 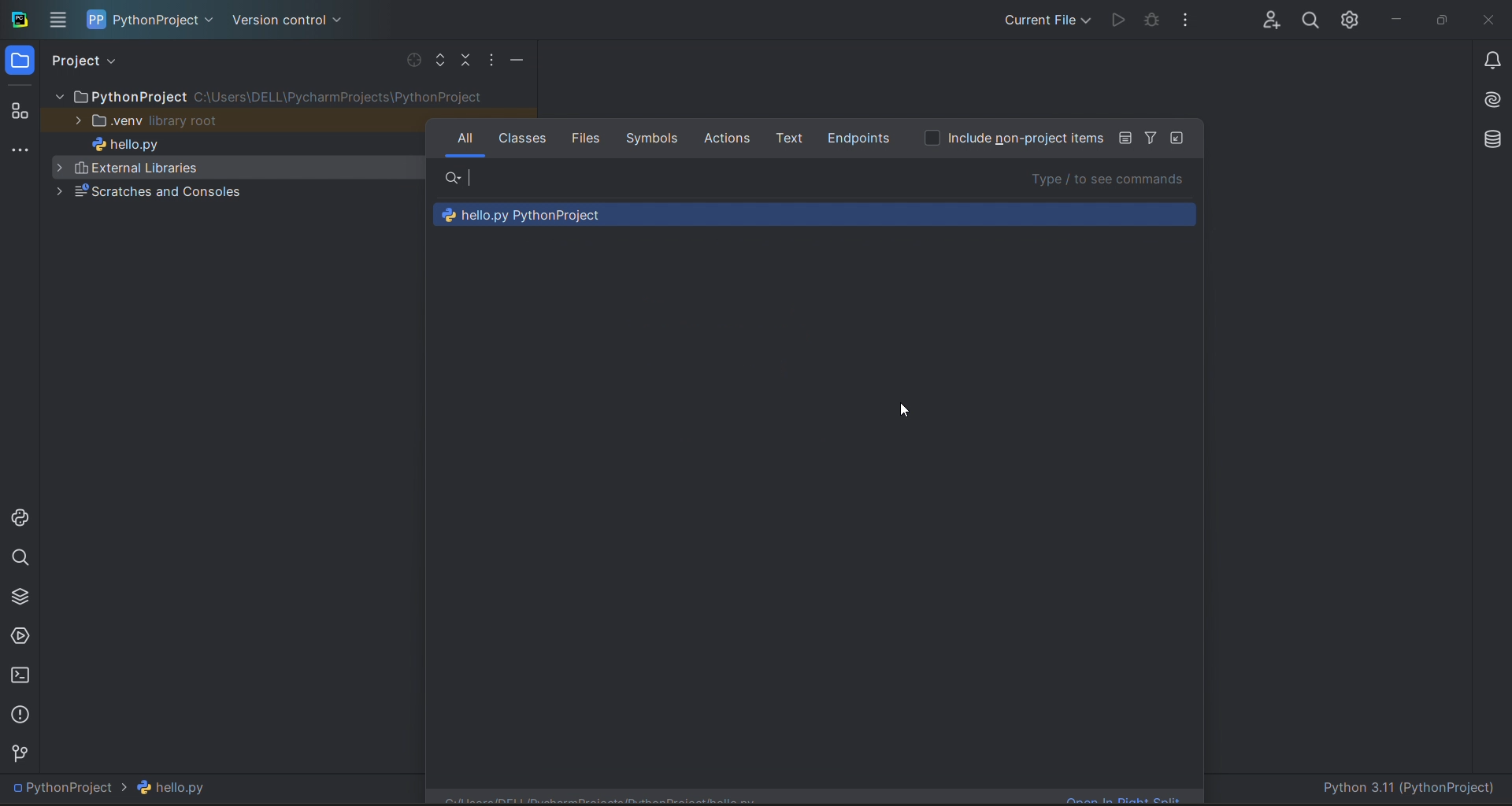 What do you see at coordinates (1310, 19) in the screenshot?
I see `search` at bounding box center [1310, 19].